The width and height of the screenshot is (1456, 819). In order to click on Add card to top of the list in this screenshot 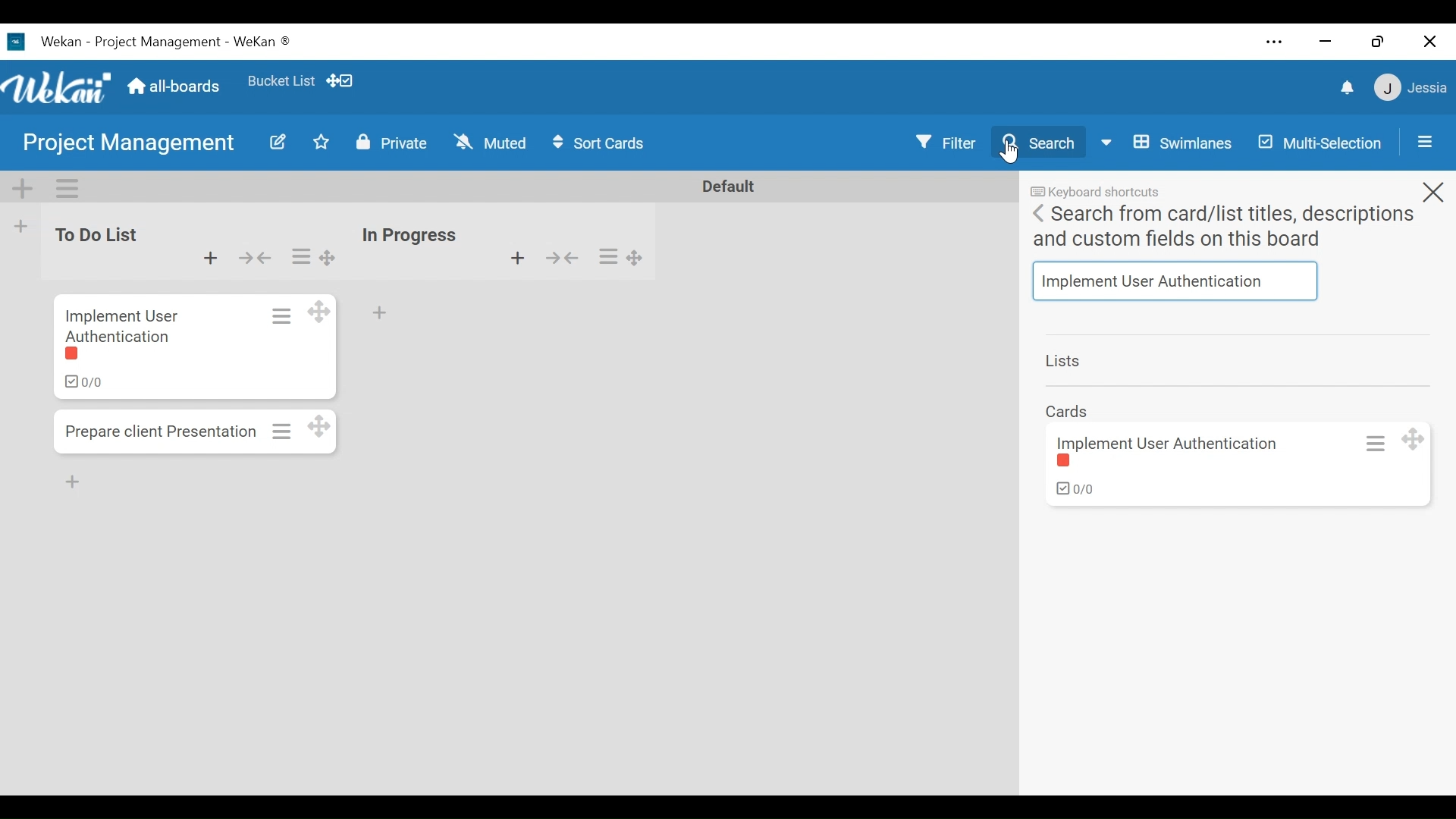, I will do `click(207, 255)`.